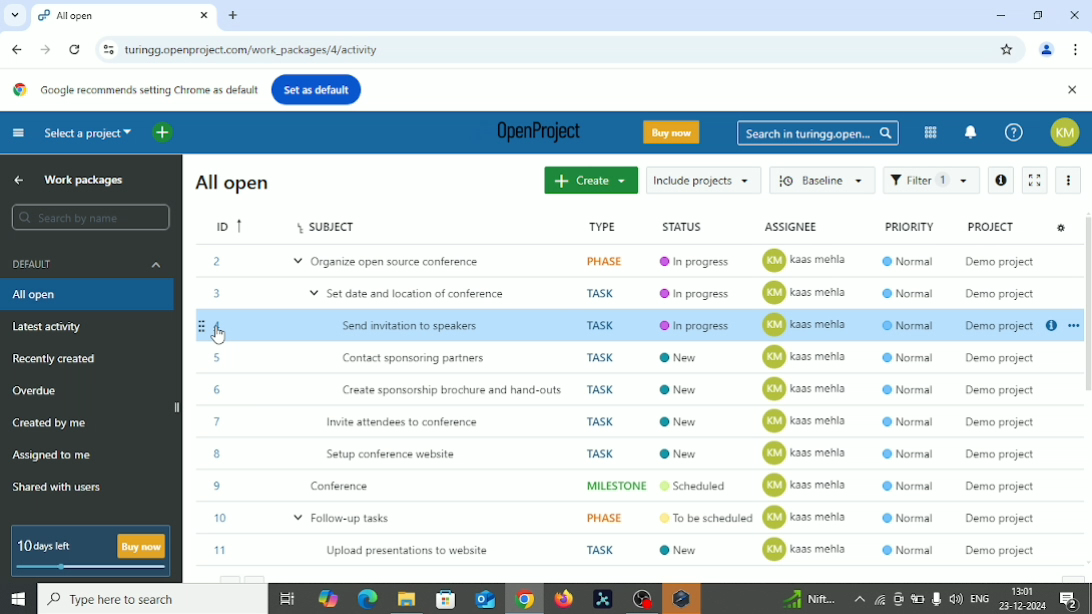 This screenshot has height=614, width=1092. Describe the element at coordinates (1024, 606) in the screenshot. I see `Date` at that location.